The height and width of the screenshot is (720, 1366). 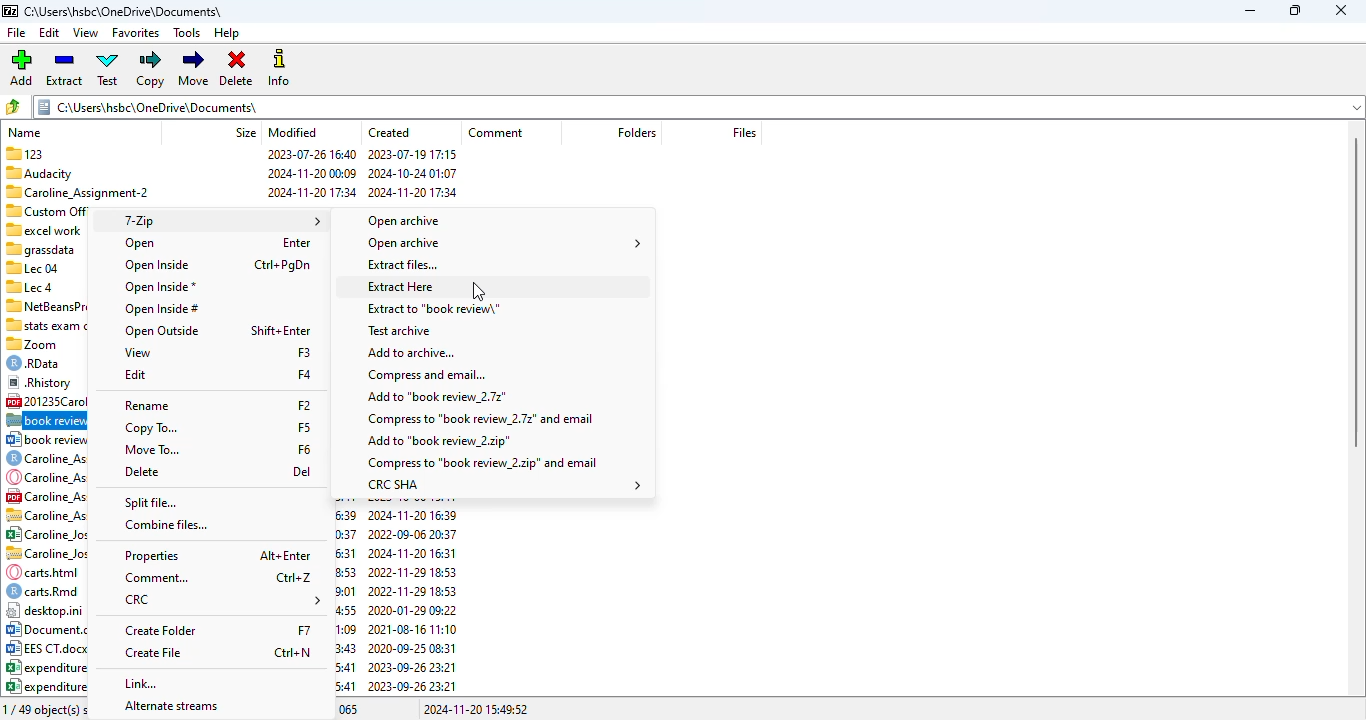 I want to click on extract files, so click(x=402, y=264).